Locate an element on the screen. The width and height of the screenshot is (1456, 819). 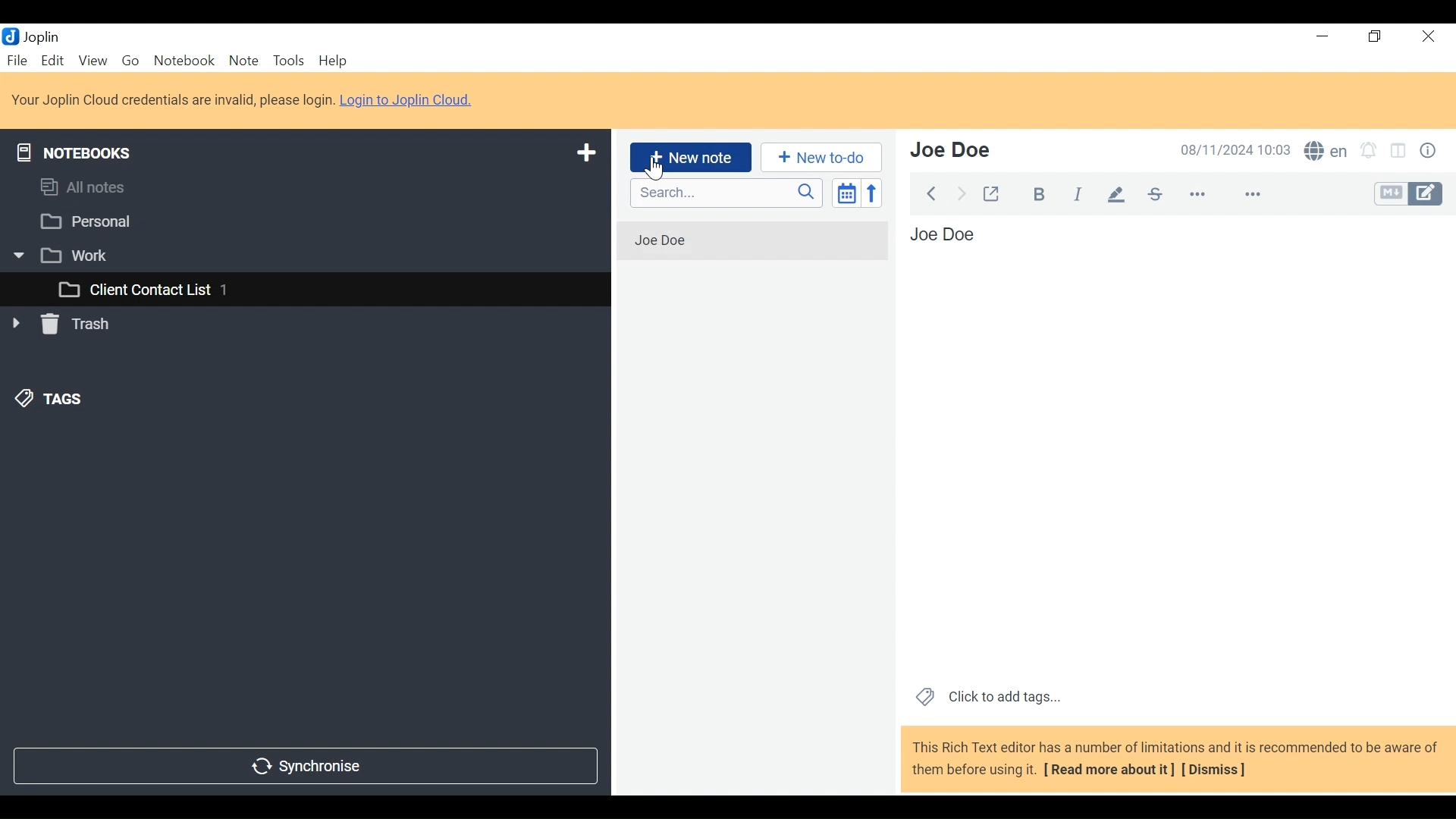
Back is located at coordinates (934, 193).